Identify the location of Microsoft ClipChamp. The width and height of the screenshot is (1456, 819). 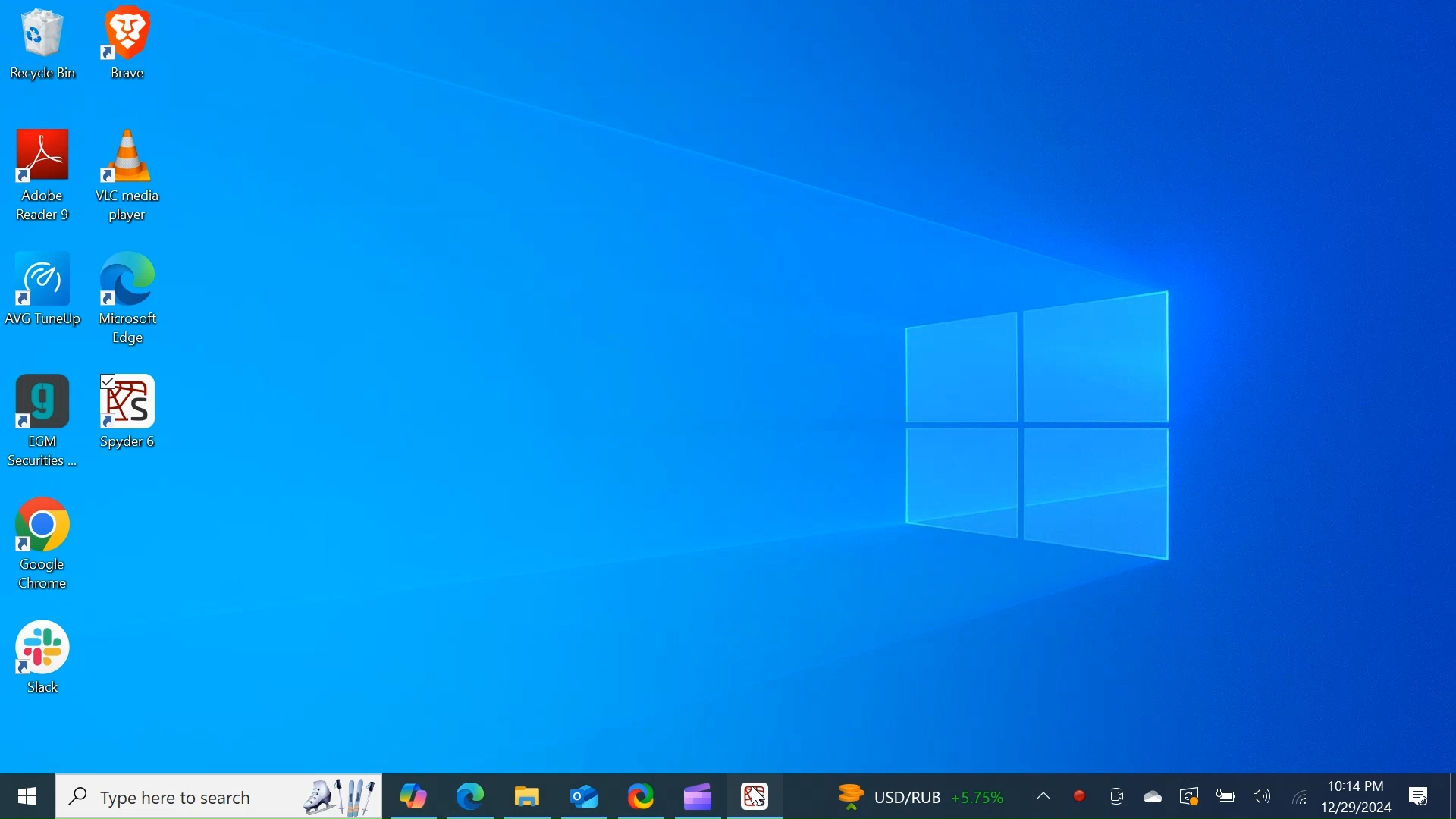
(698, 795).